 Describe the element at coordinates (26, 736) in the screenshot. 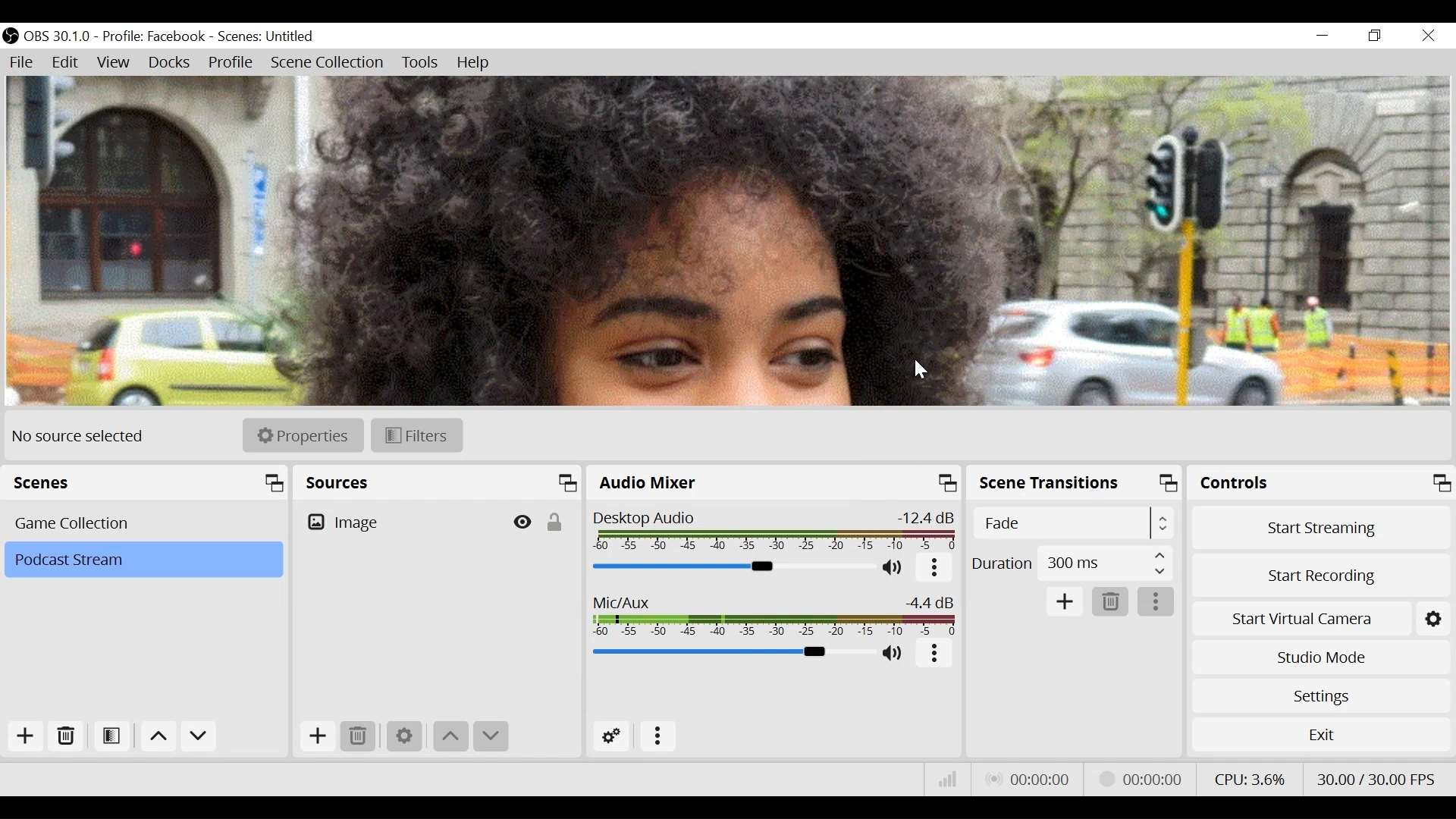

I see `Add ` at that location.